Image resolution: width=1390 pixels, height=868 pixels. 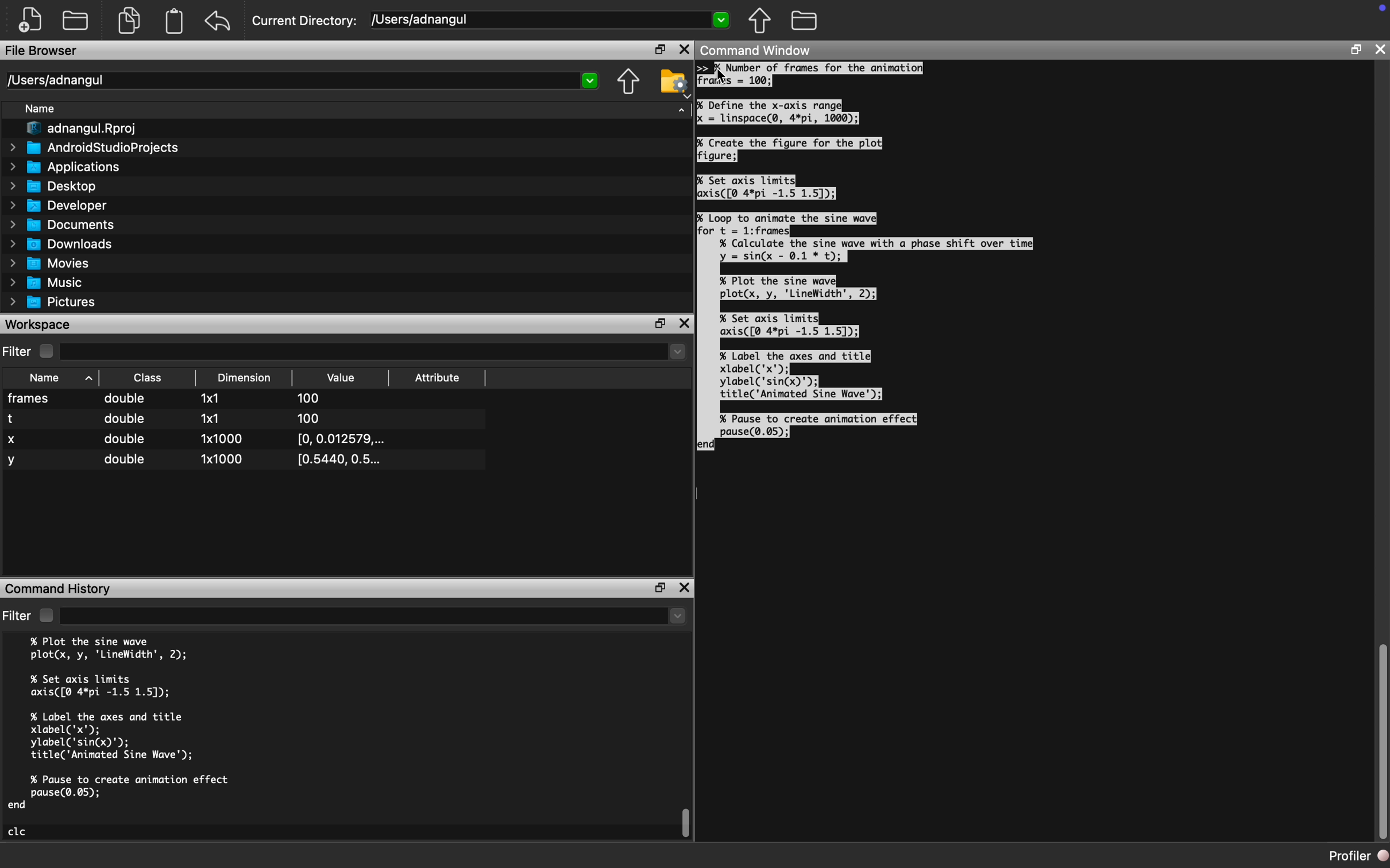 I want to click on 100, so click(x=310, y=400).